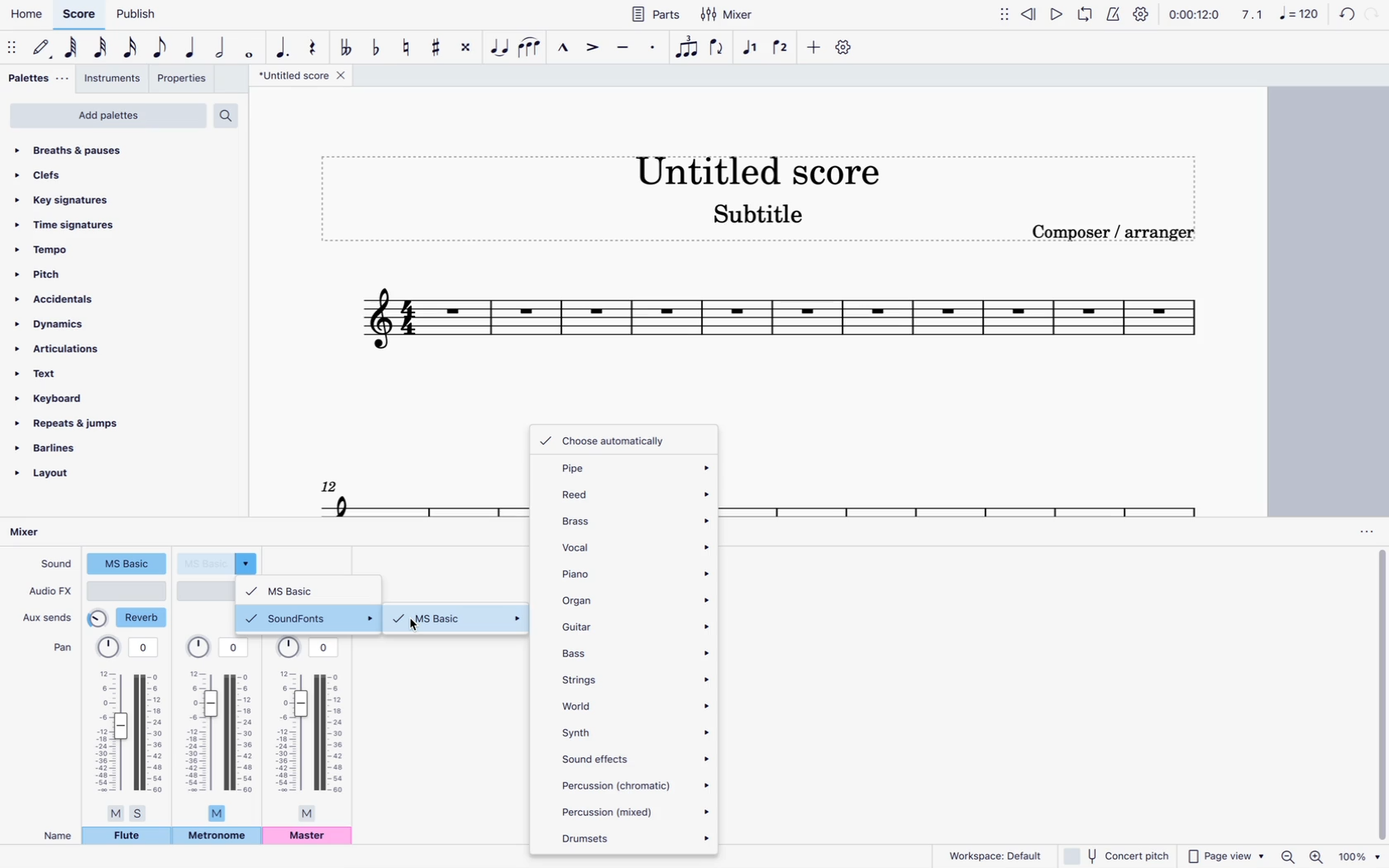  What do you see at coordinates (252, 50) in the screenshot?
I see `full note` at bounding box center [252, 50].